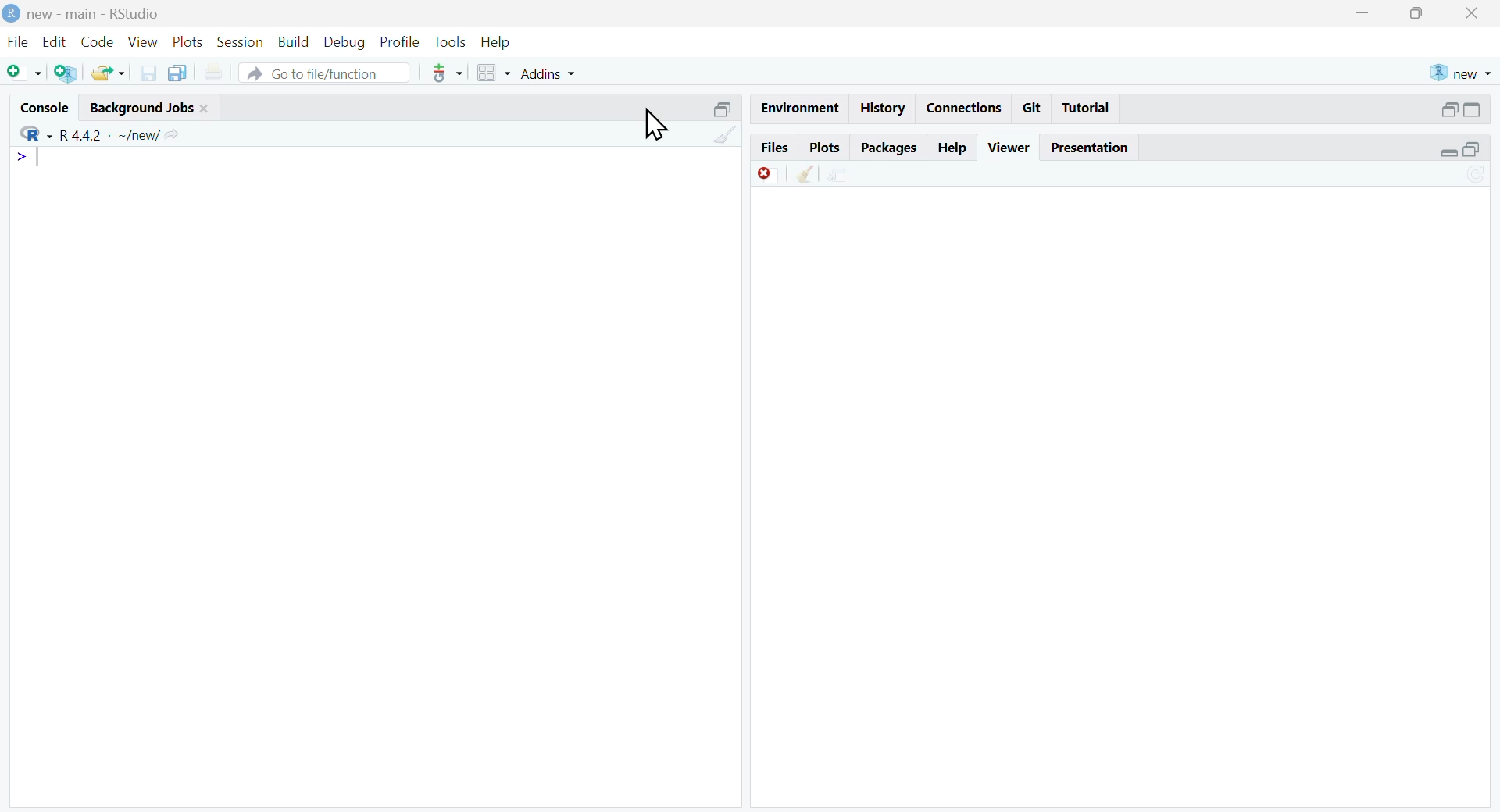 Image resolution: width=1500 pixels, height=812 pixels. I want to click on Tutorial , so click(1087, 108).